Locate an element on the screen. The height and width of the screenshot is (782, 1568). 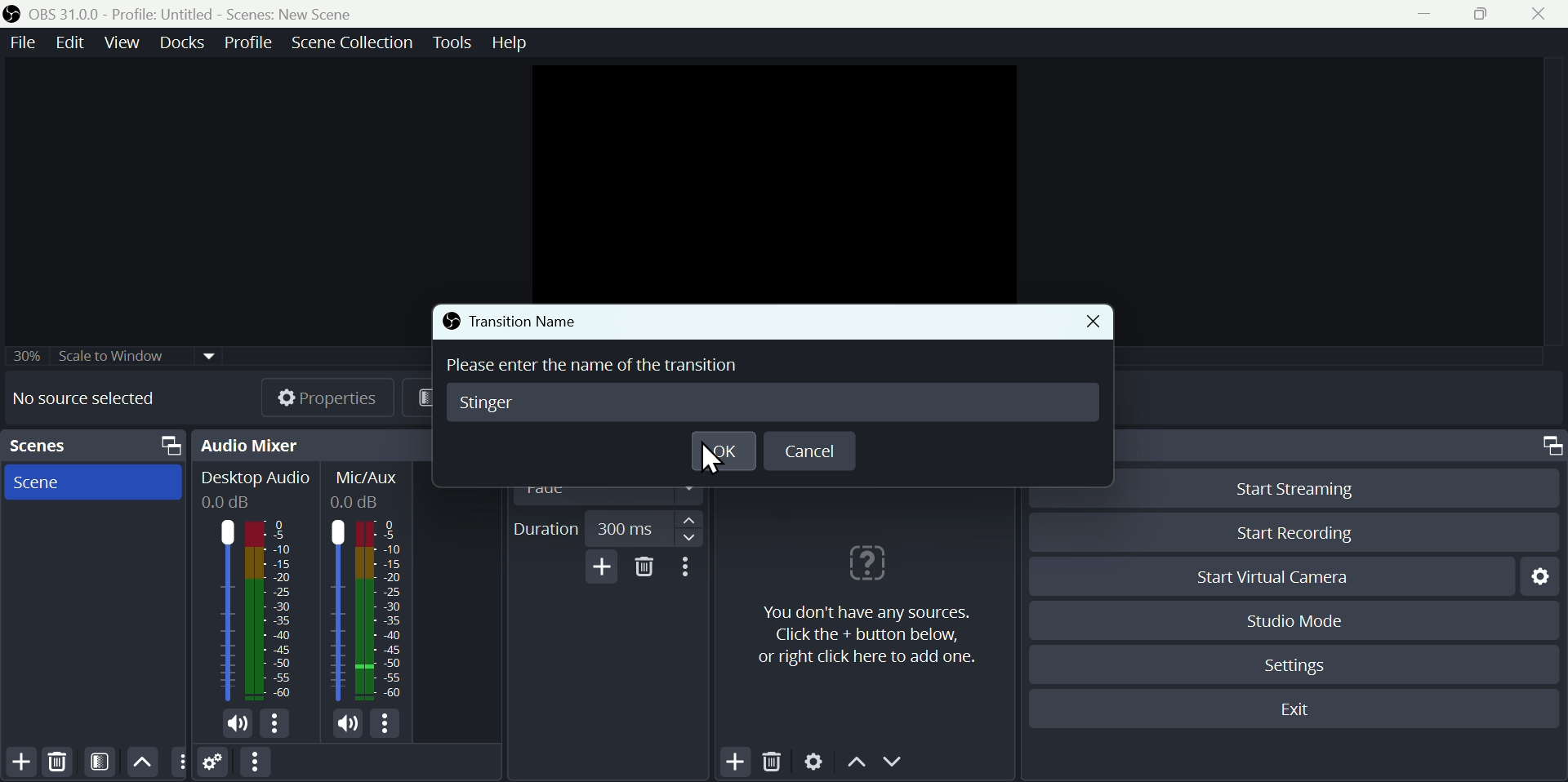
Start streaming is located at coordinates (1288, 487).